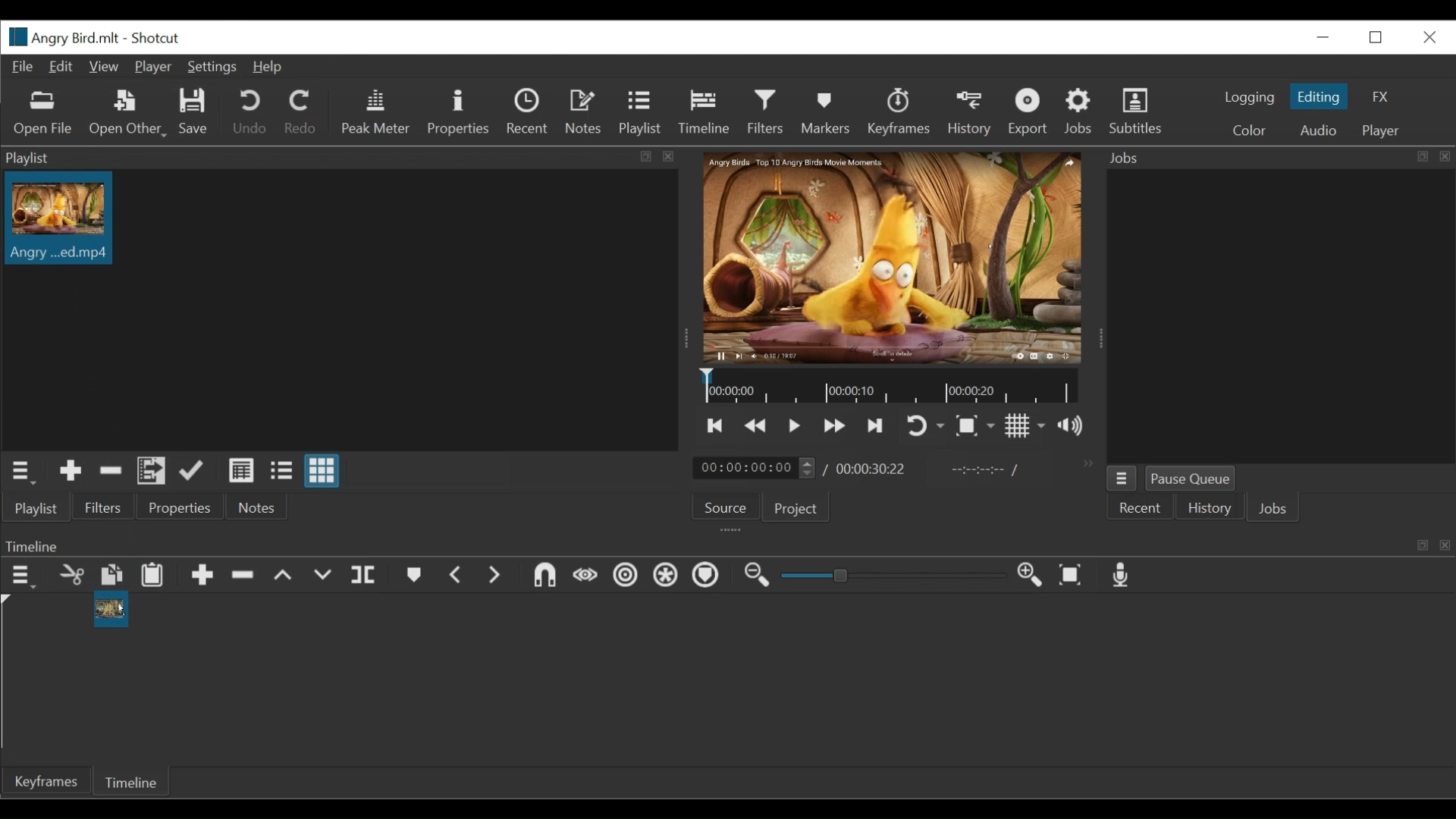 This screenshot has height=819, width=1456. What do you see at coordinates (975, 427) in the screenshot?
I see `Toggle zoom` at bounding box center [975, 427].